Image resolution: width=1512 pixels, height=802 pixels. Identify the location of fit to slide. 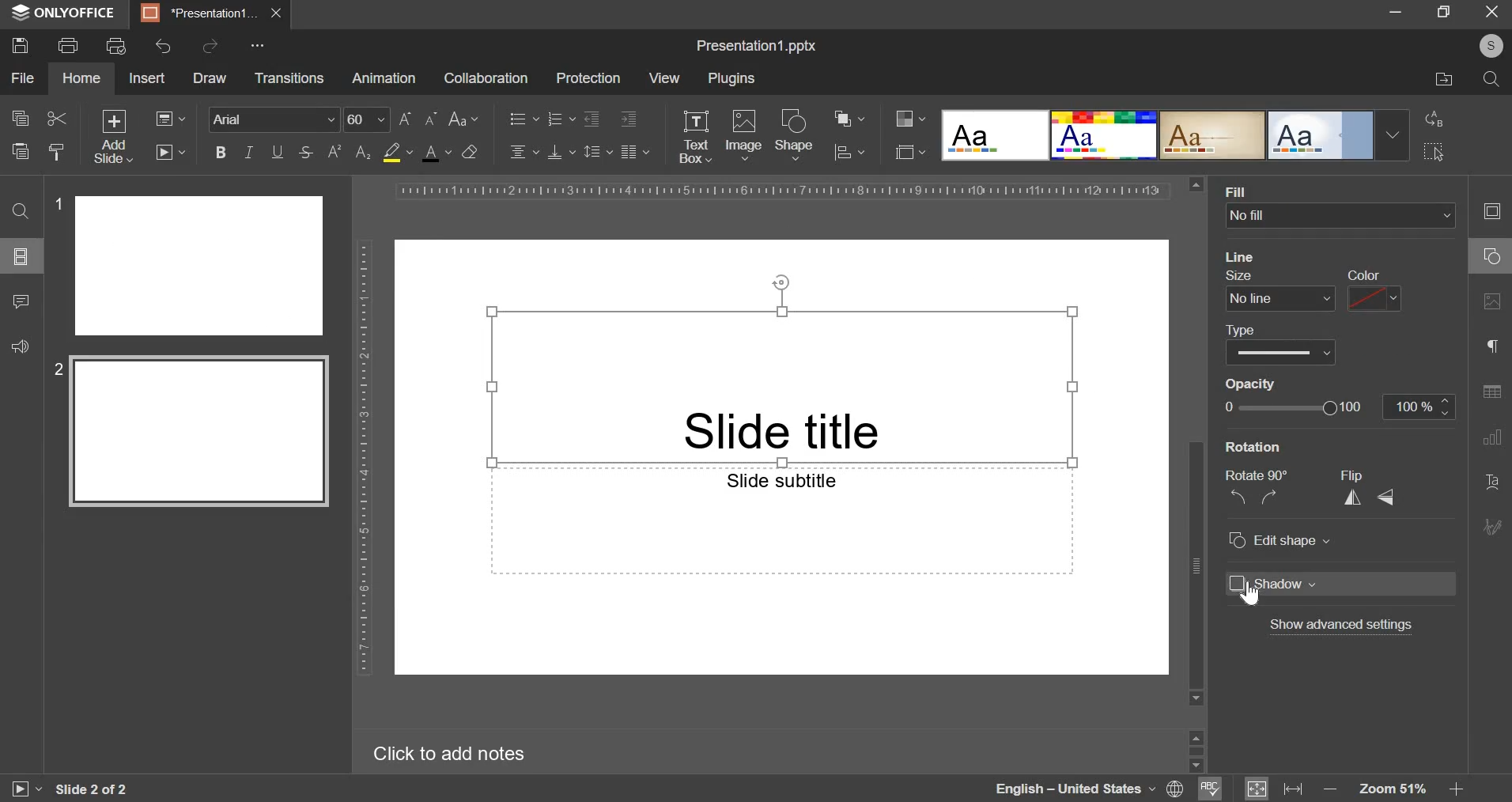
(1257, 789).